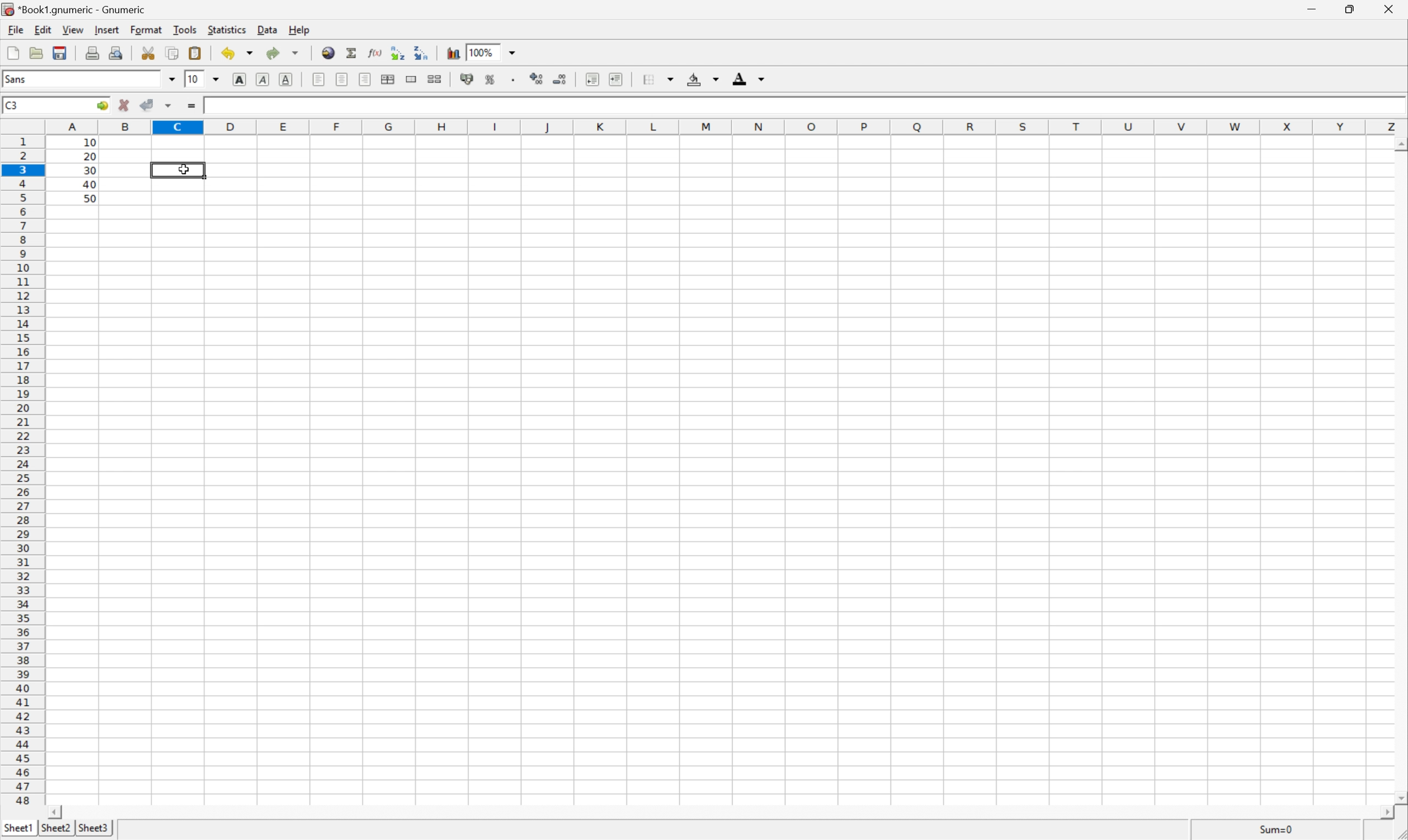  What do you see at coordinates (725, 126) in the screenshot?
I see `Column names` at bounding box center [725, 126].